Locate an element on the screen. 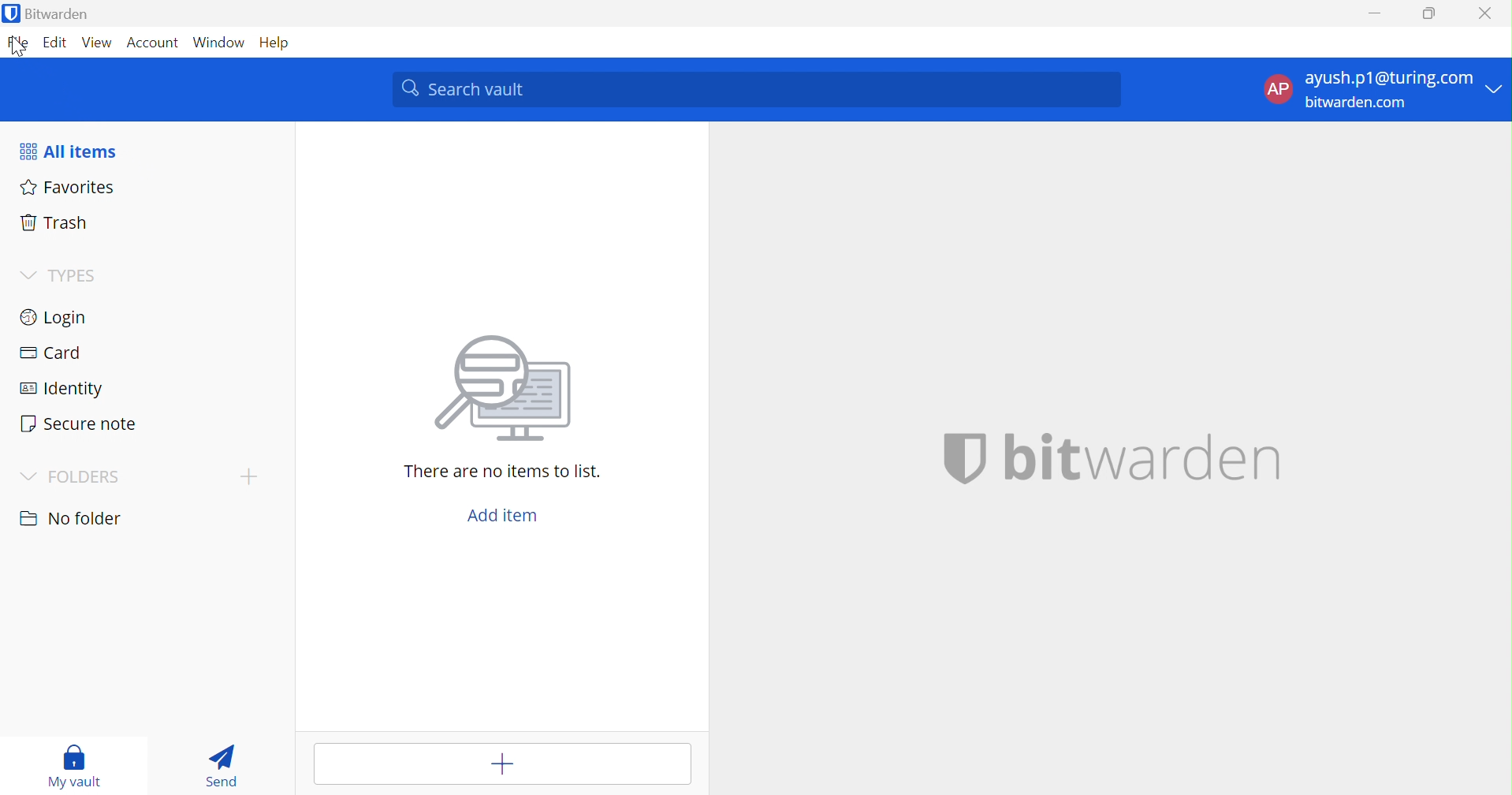 The width and height of the screenshot is (1512, 795). bitwarden logo is located at coordinates (964, 457).